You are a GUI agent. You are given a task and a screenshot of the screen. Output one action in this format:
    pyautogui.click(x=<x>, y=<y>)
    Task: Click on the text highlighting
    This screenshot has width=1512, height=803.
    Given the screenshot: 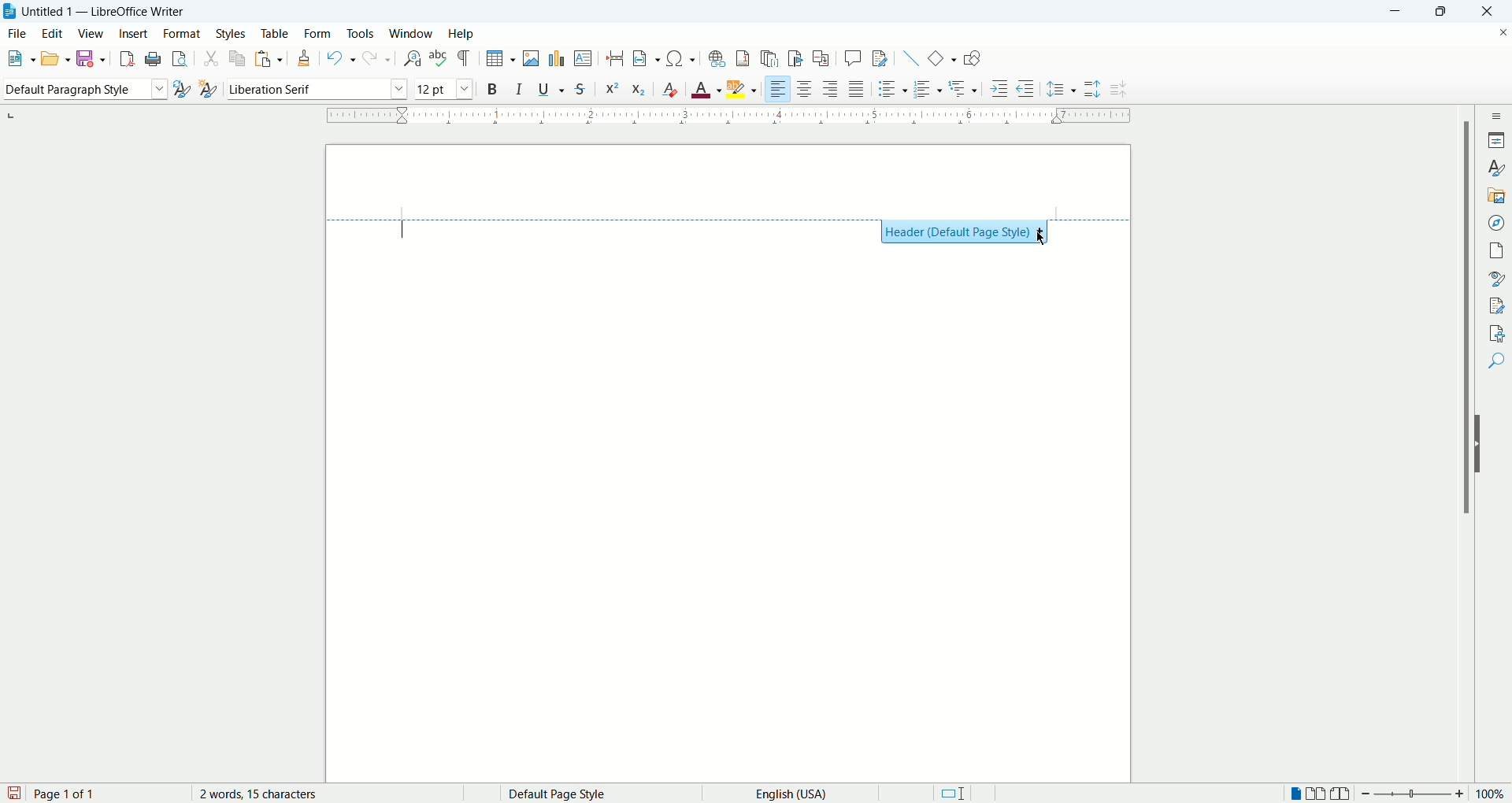 What is the action you would take?
    pyautogui.click(x=743, y=90)
    